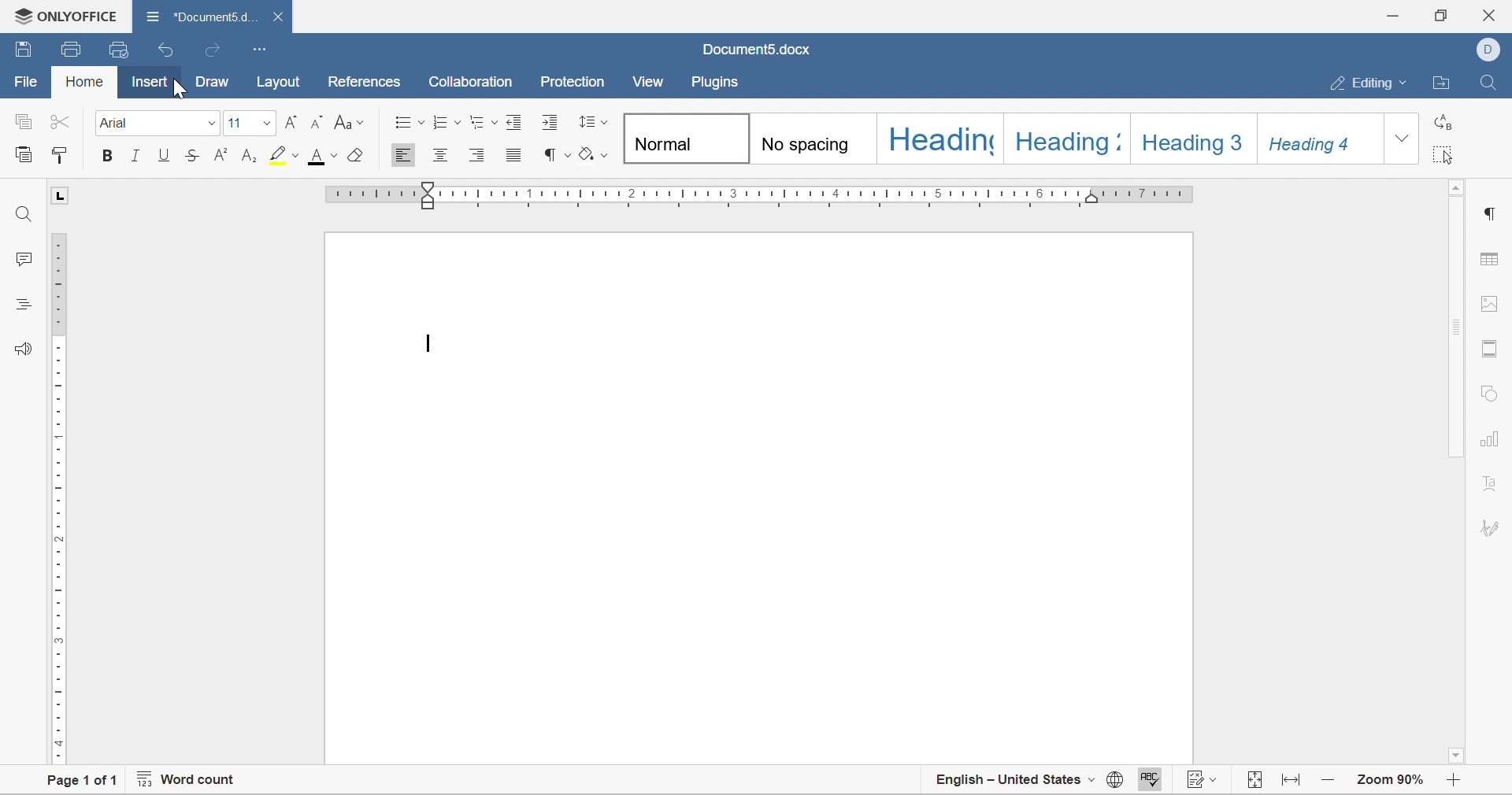 This screenshot has width=1512, height=795. I want to click on zoom in, so click(1453, 782).